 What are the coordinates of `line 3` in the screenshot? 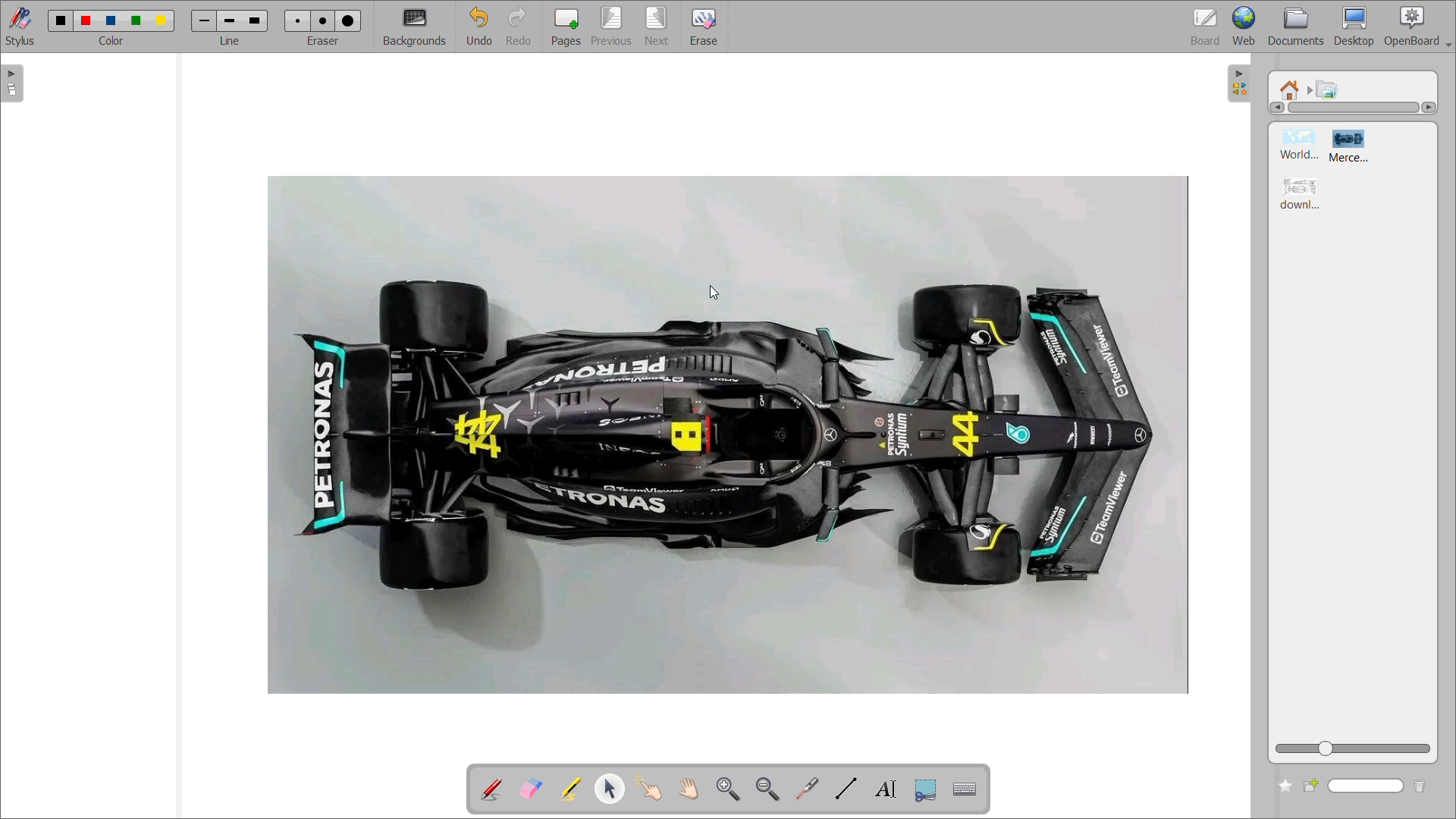 It's located at (255, 20).